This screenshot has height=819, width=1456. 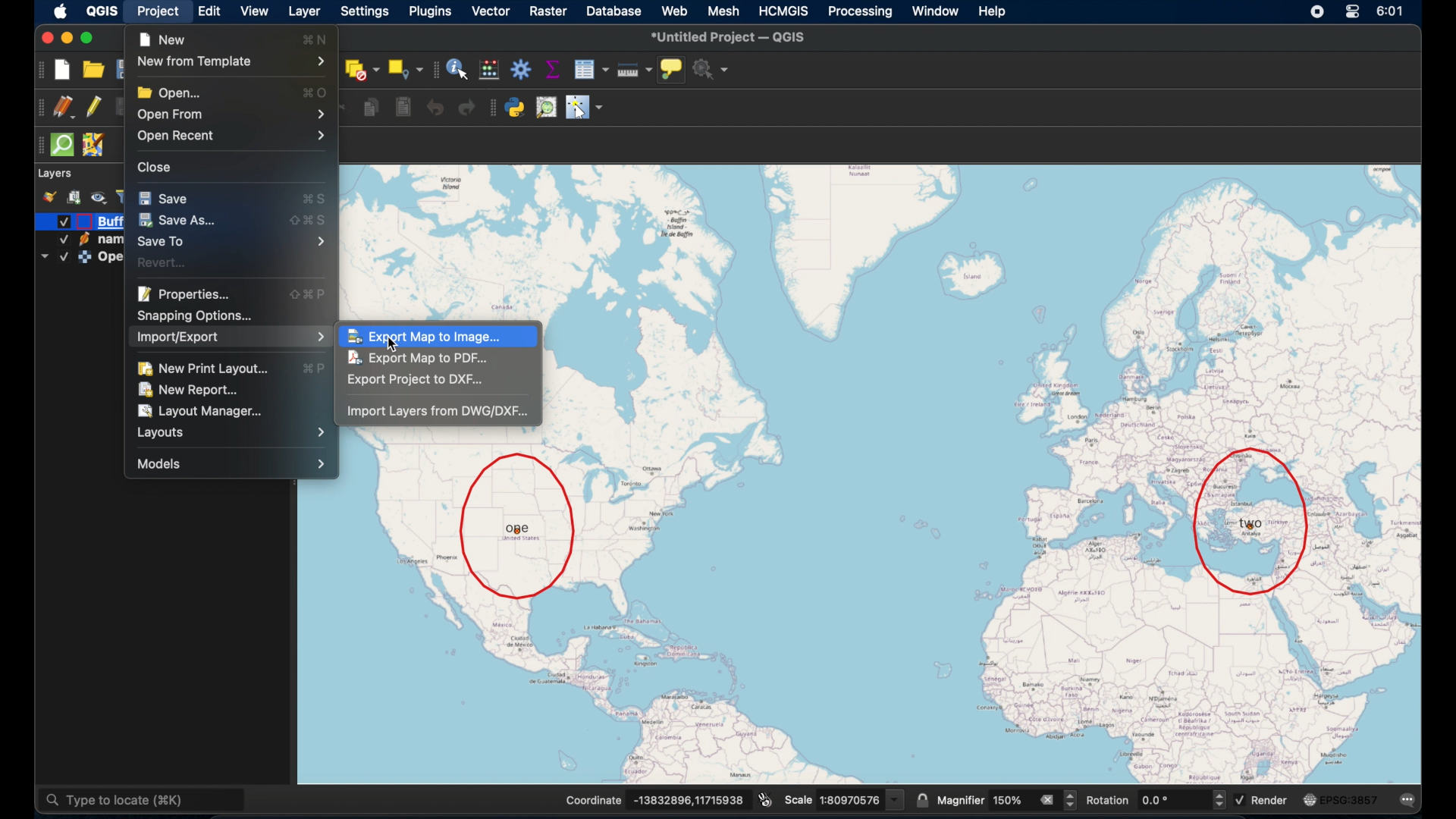 What do you see at coordinates (64, 221) in the screenshot?
I see `Checked checkbox` at bounding box center [64, 221].